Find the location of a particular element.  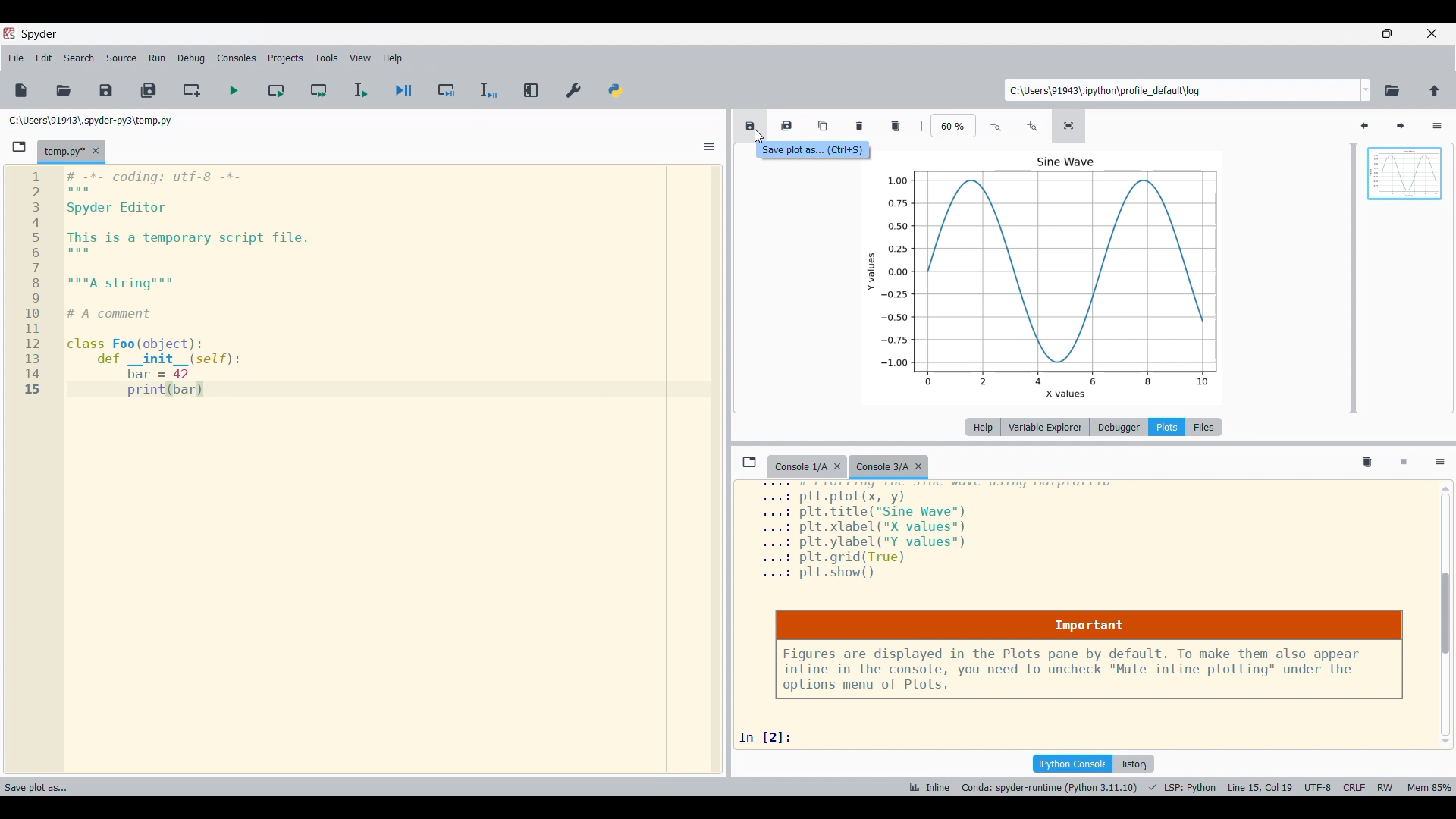

Zoom in is located at coordinates (1031, 127).